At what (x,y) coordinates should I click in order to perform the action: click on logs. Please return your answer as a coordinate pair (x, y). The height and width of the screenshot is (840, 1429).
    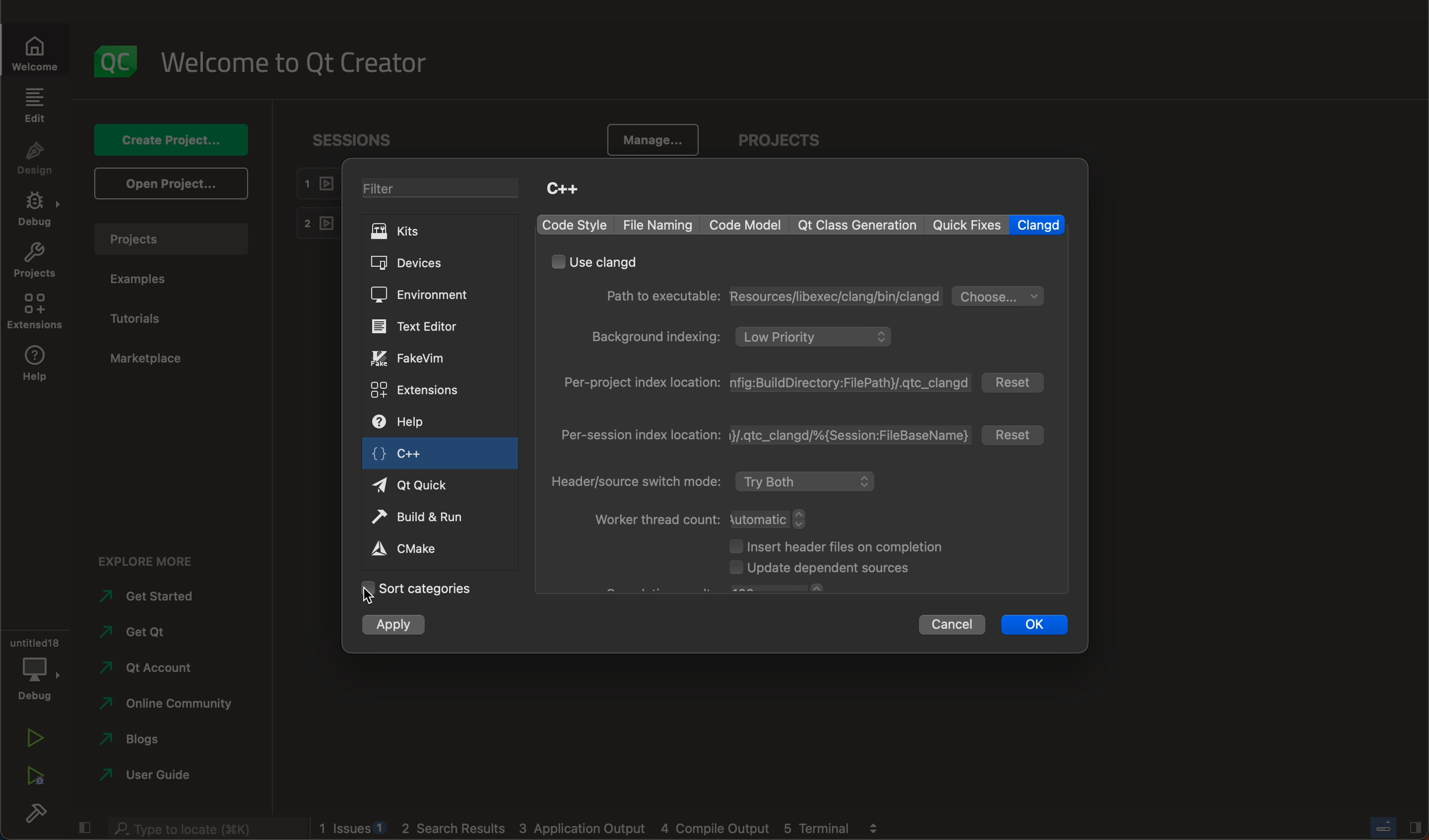
    Looking at the image, I should click on (613, 828).